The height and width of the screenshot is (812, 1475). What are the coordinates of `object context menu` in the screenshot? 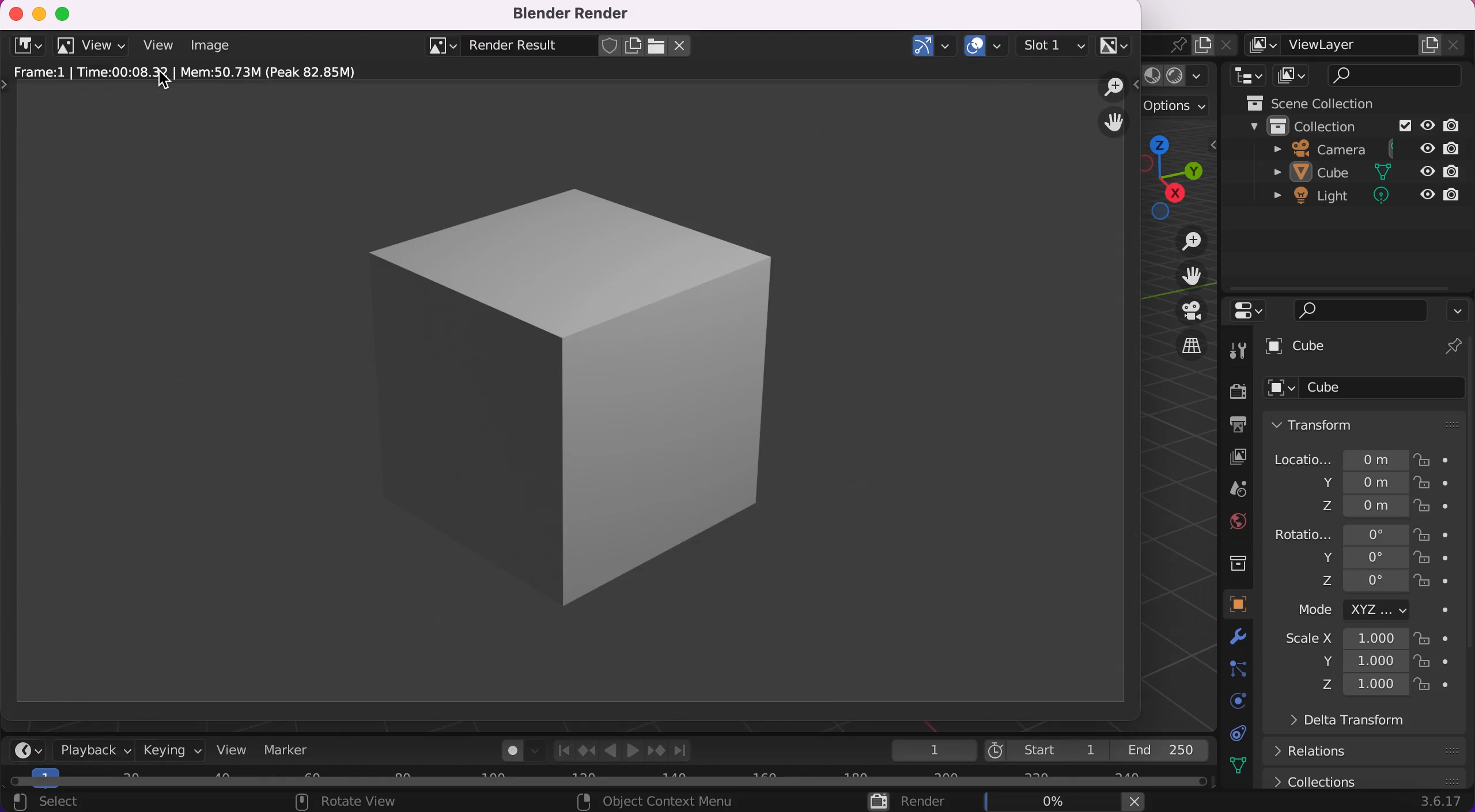 It's located at (668, 802).